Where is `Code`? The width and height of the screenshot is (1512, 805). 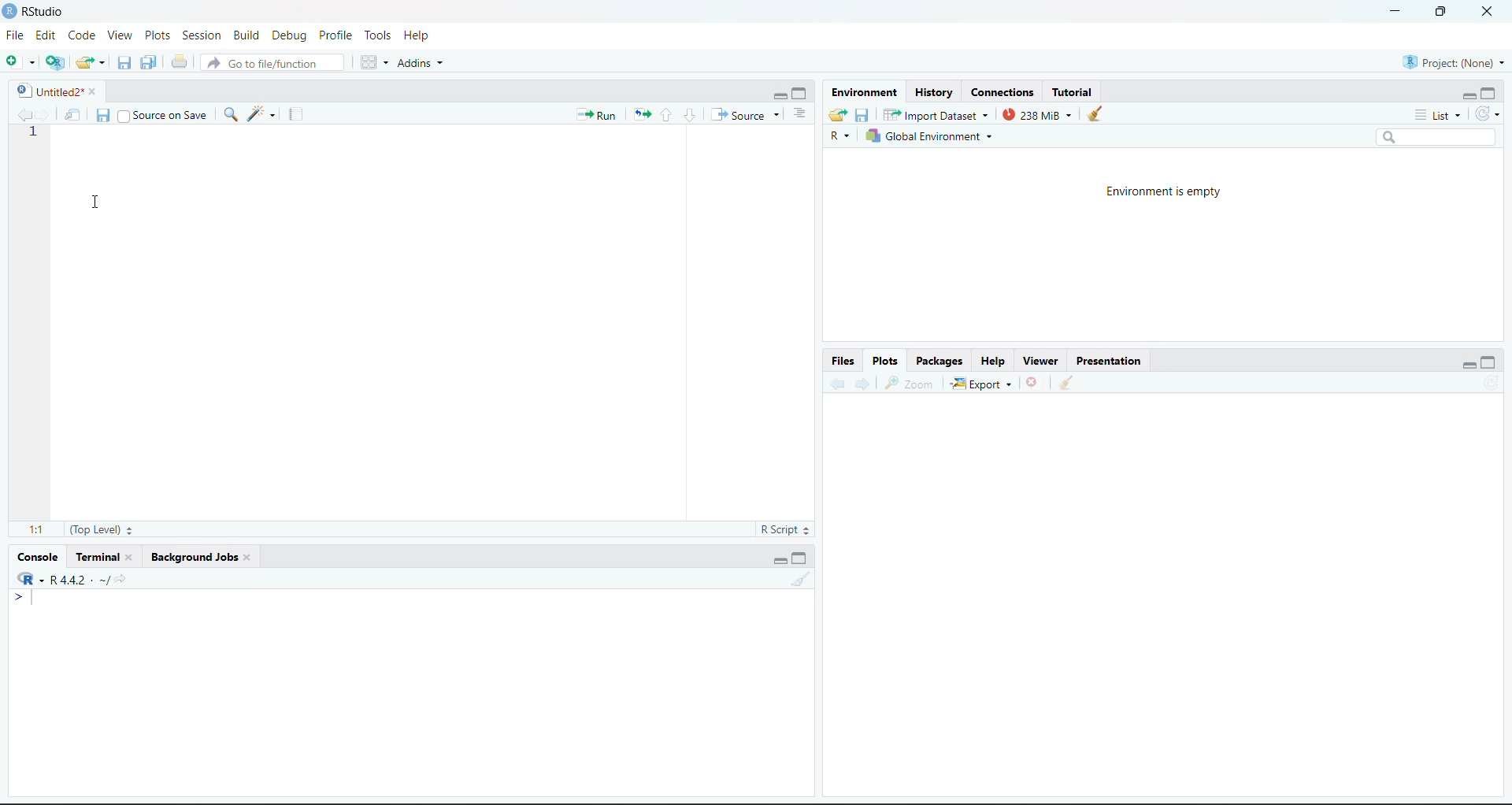 Code is located at coordinates (83, 35).